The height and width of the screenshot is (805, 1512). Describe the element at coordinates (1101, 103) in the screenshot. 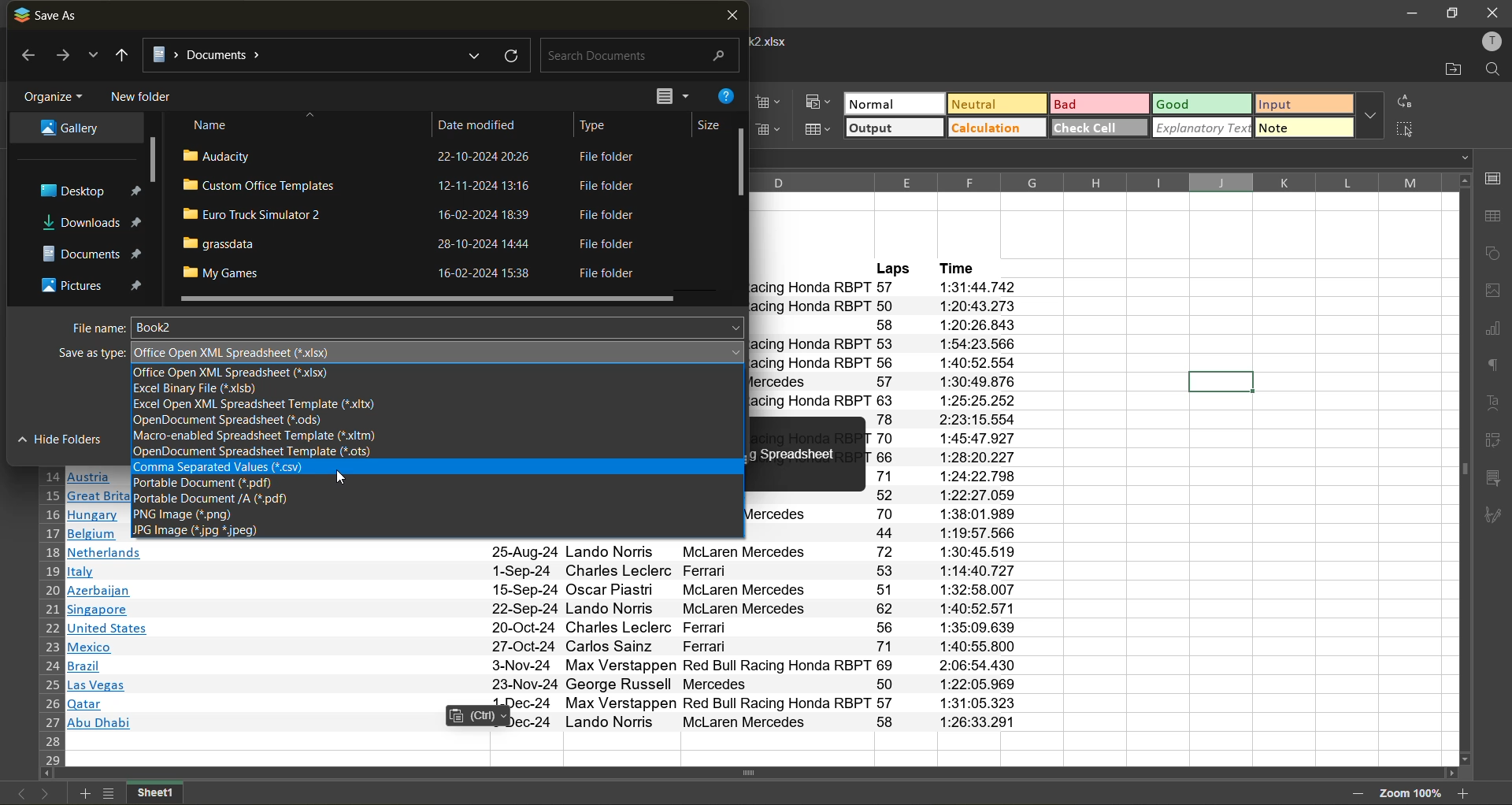

I see `bad` at that location.